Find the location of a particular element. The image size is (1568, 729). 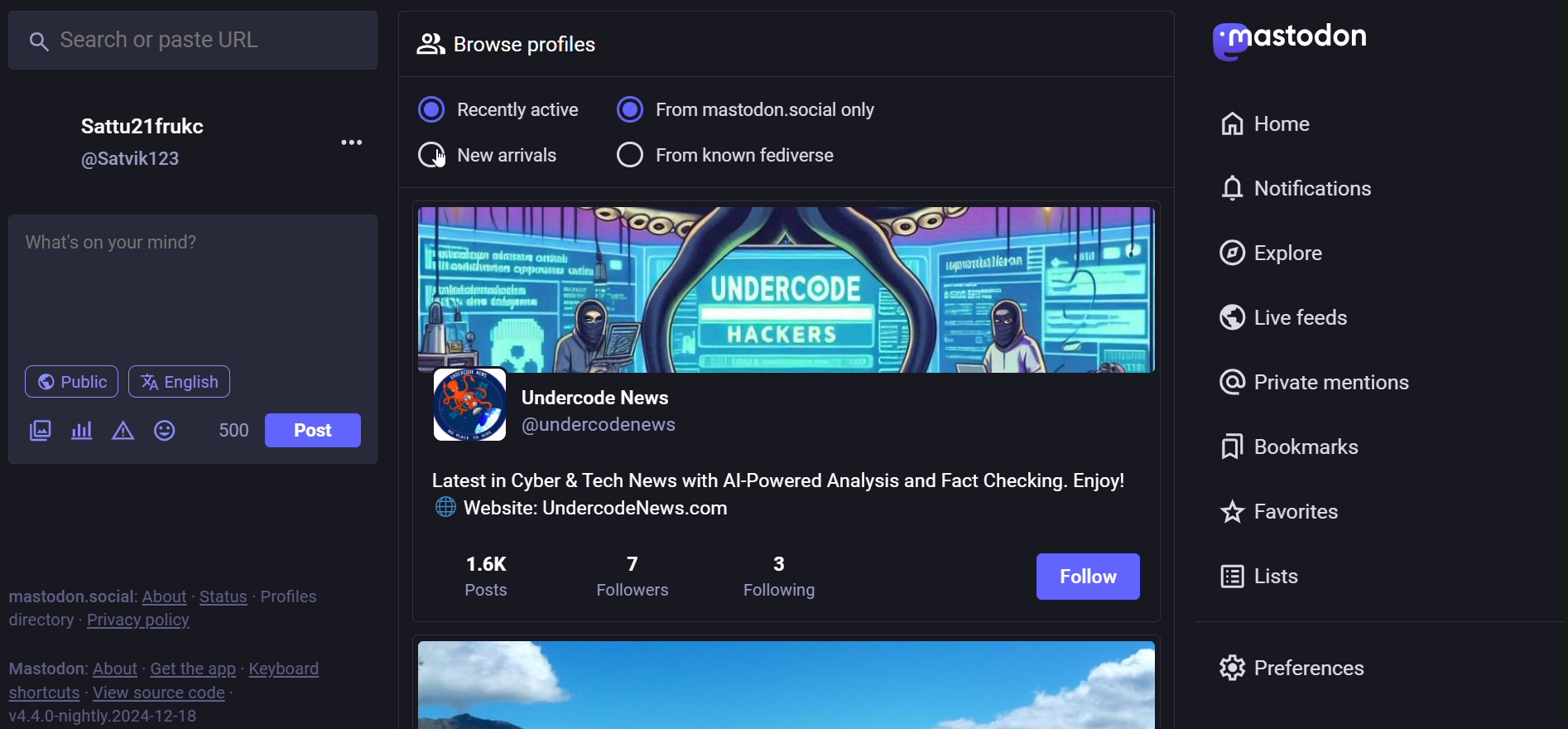

Latest in Cyber & Tech News with Al-Powered Analysis and Fact Checking. Enjoy!
© Website: UndercodeNews.com is located at coordinates (782, 492).